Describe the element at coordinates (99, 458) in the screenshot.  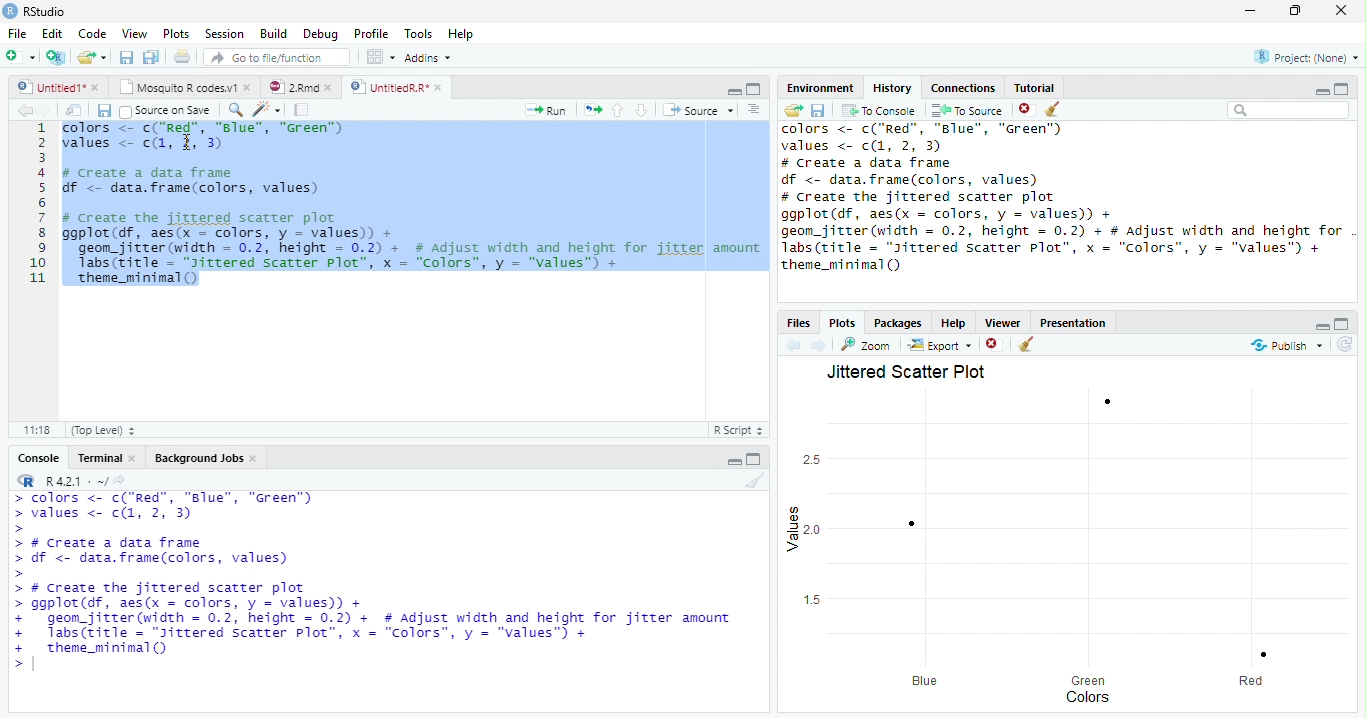
I see `Terminal` at that location.